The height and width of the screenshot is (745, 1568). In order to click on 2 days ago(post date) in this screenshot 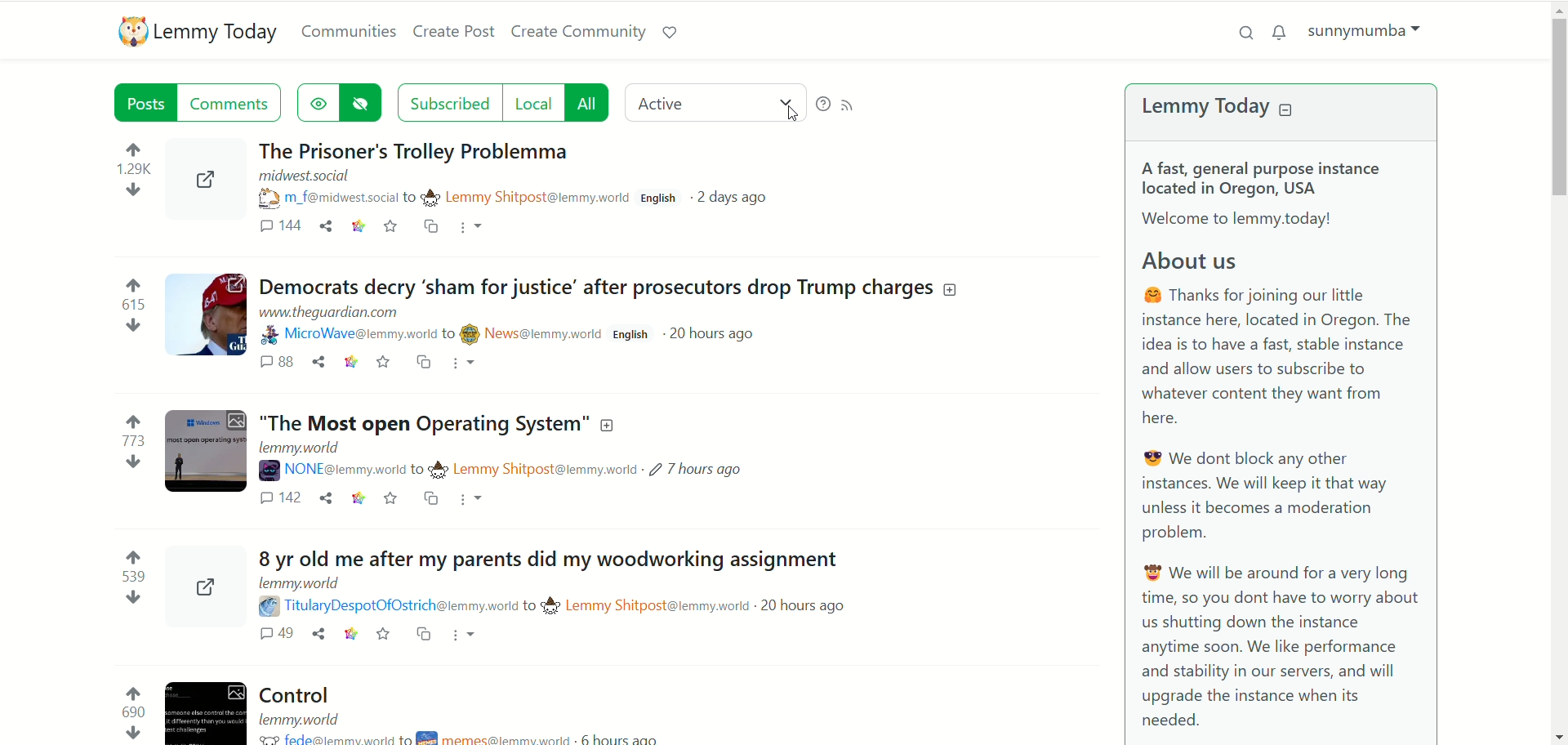, I will do `click(741, 196)`.